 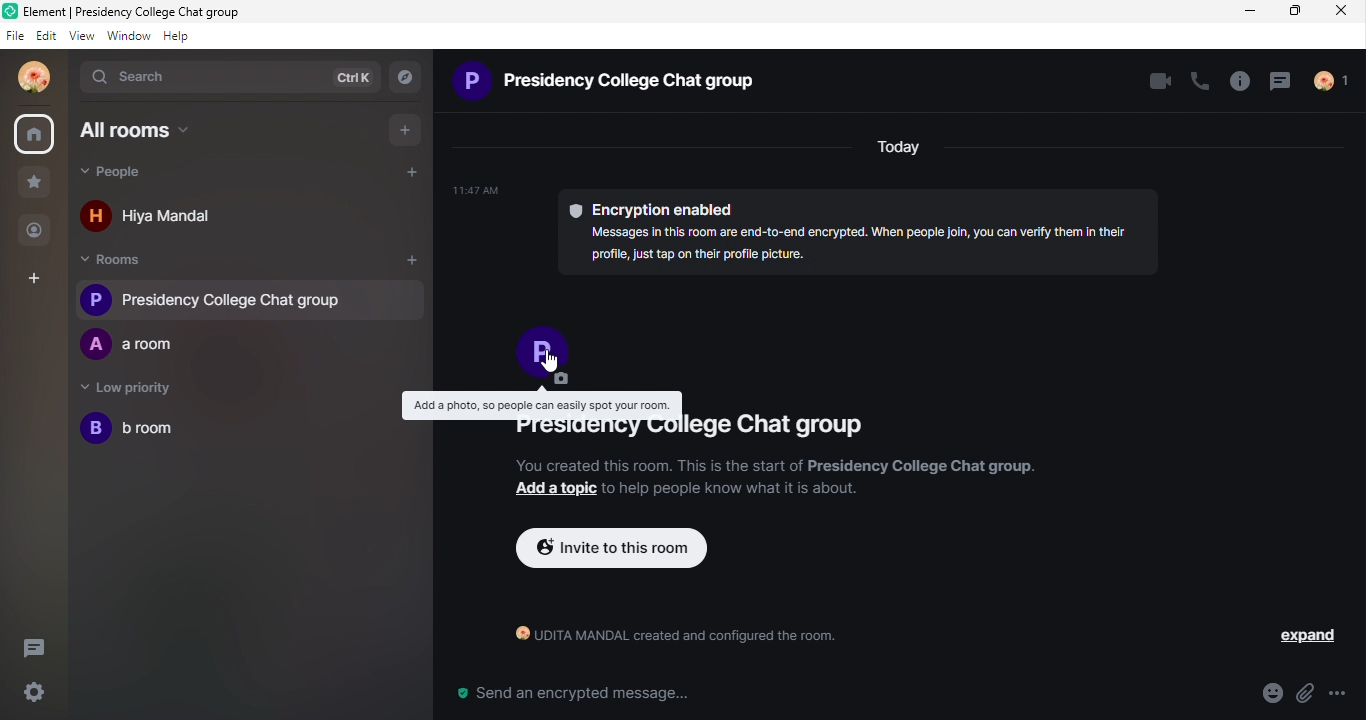 I want to click on udita mandal, so click(x=35, y=82).